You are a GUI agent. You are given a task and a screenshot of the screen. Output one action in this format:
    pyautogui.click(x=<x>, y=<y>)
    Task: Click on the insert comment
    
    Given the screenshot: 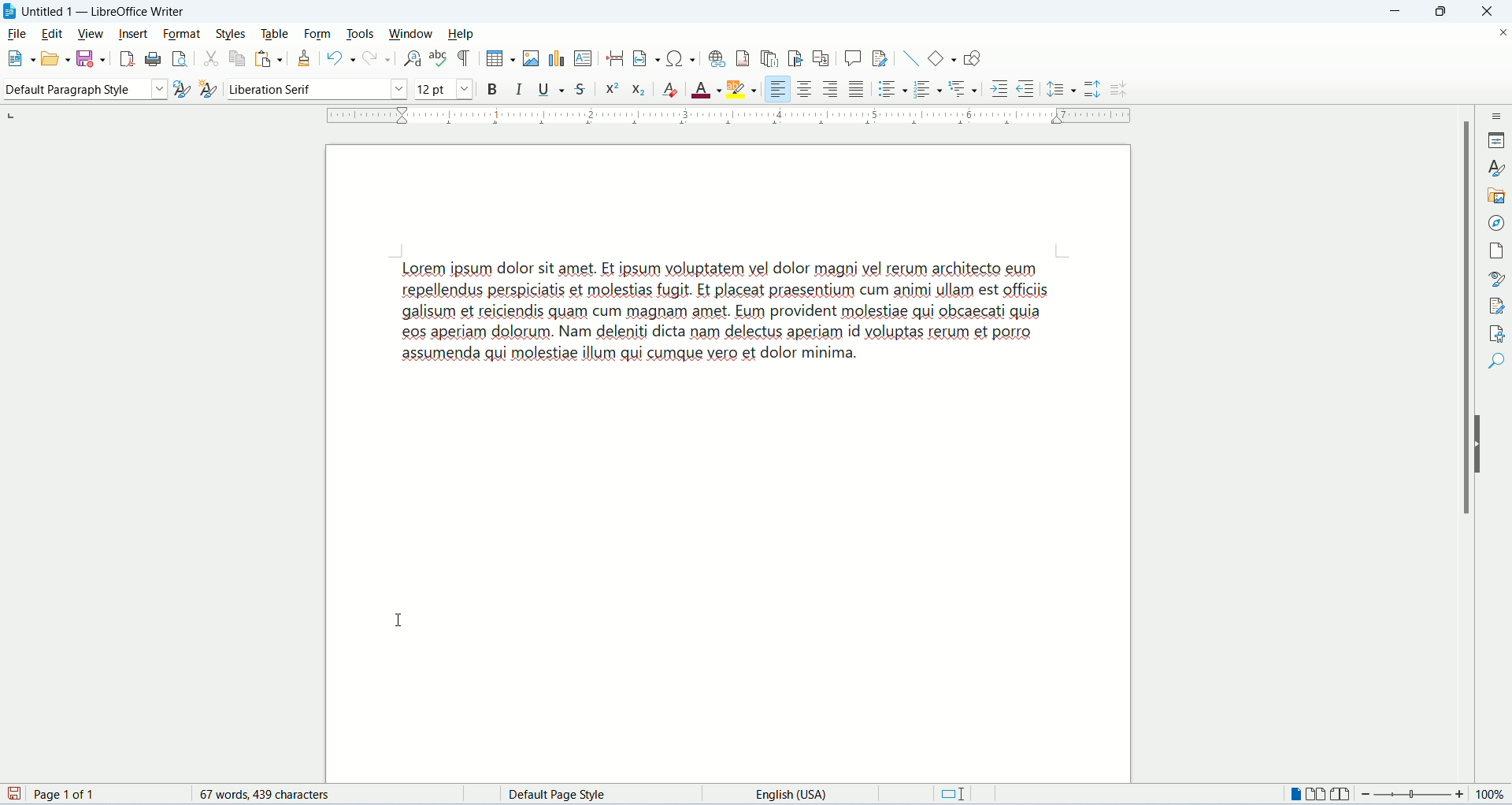 What is the action you would take?
    pyautogui.click(x=853, y=57)
    